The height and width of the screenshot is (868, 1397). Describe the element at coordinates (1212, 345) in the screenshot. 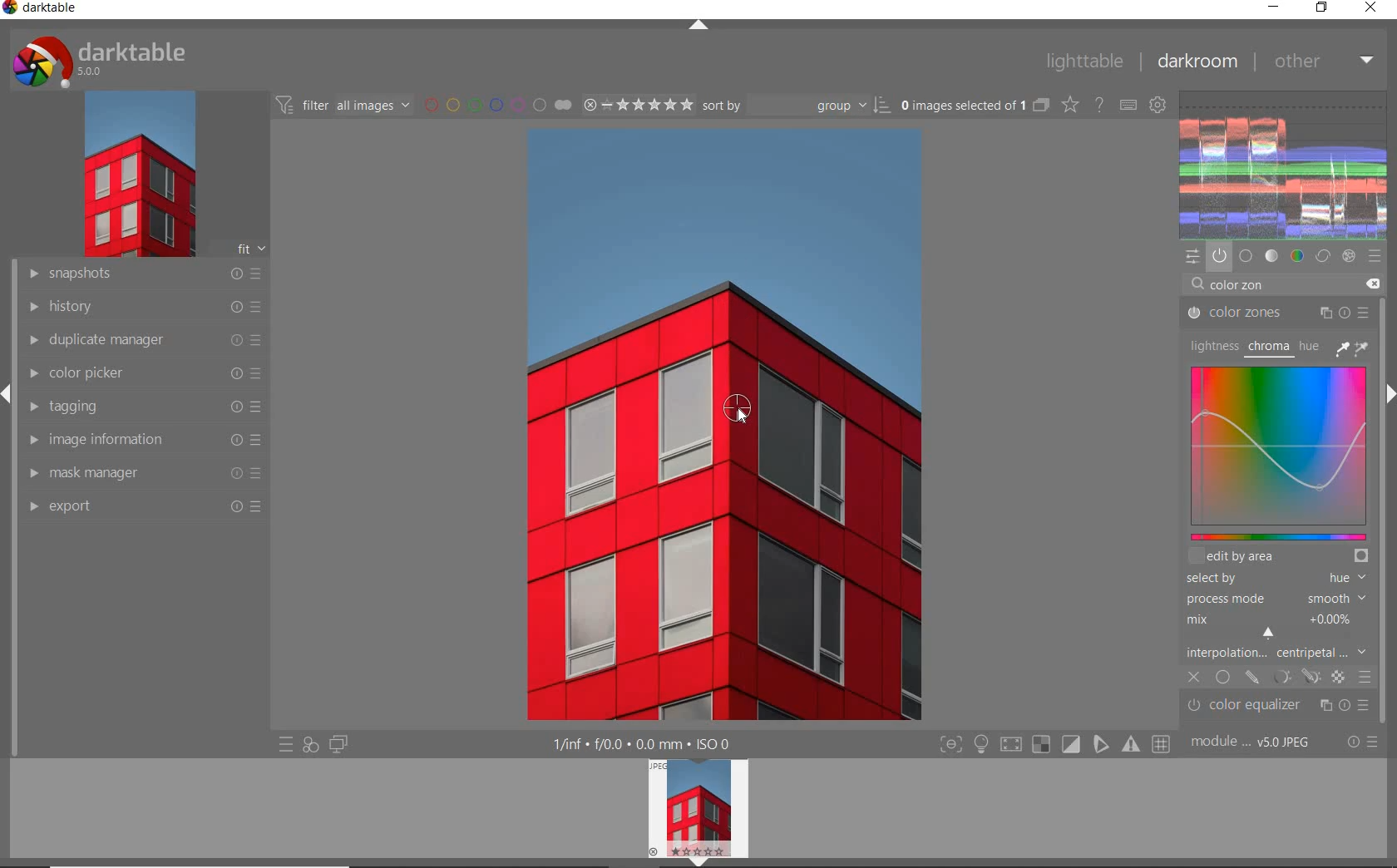

I see `LIGHTNESS` at that location.